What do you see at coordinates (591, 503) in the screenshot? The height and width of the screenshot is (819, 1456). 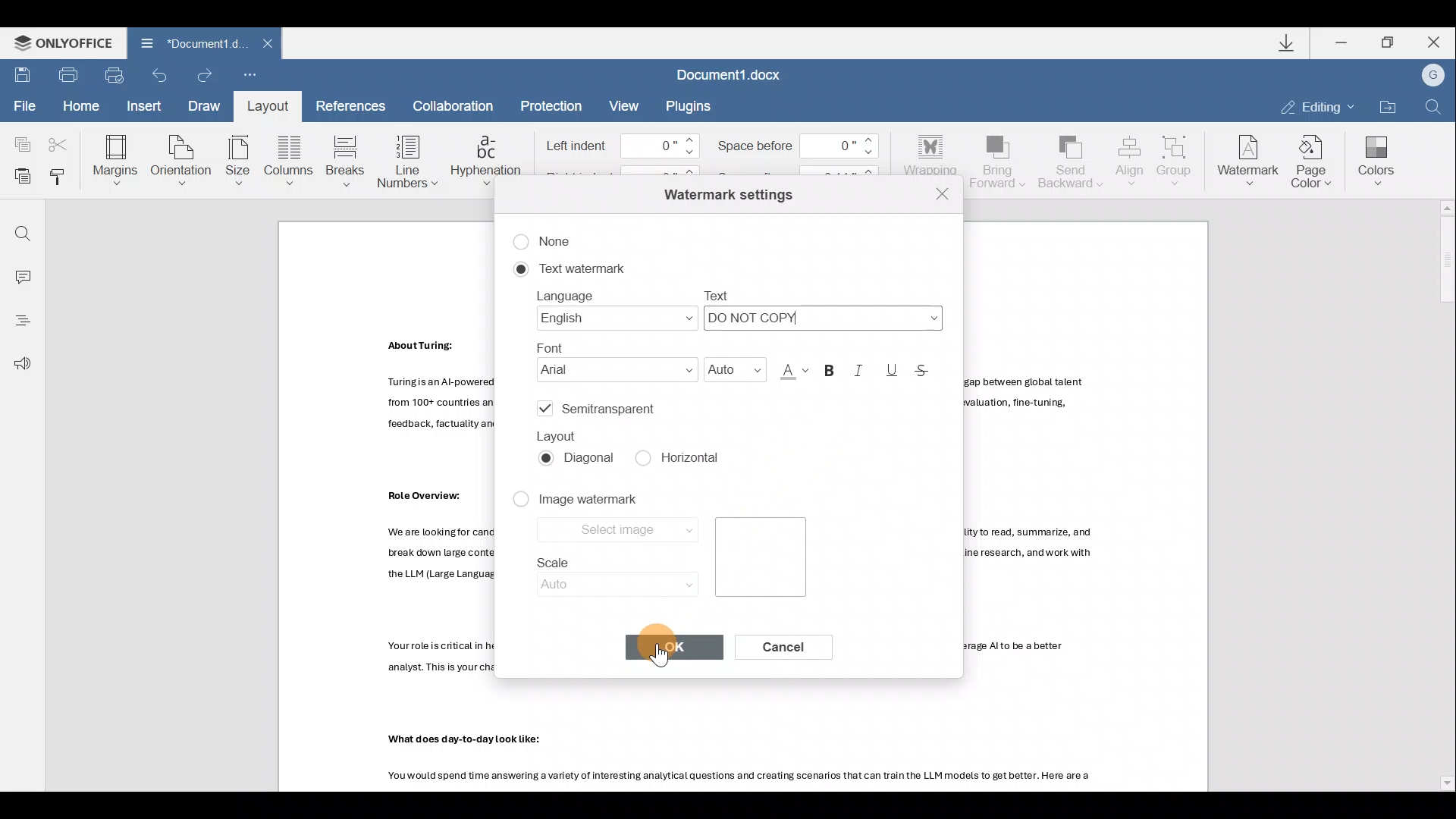 I see `Image watermark` at bounding box center [591, 503].